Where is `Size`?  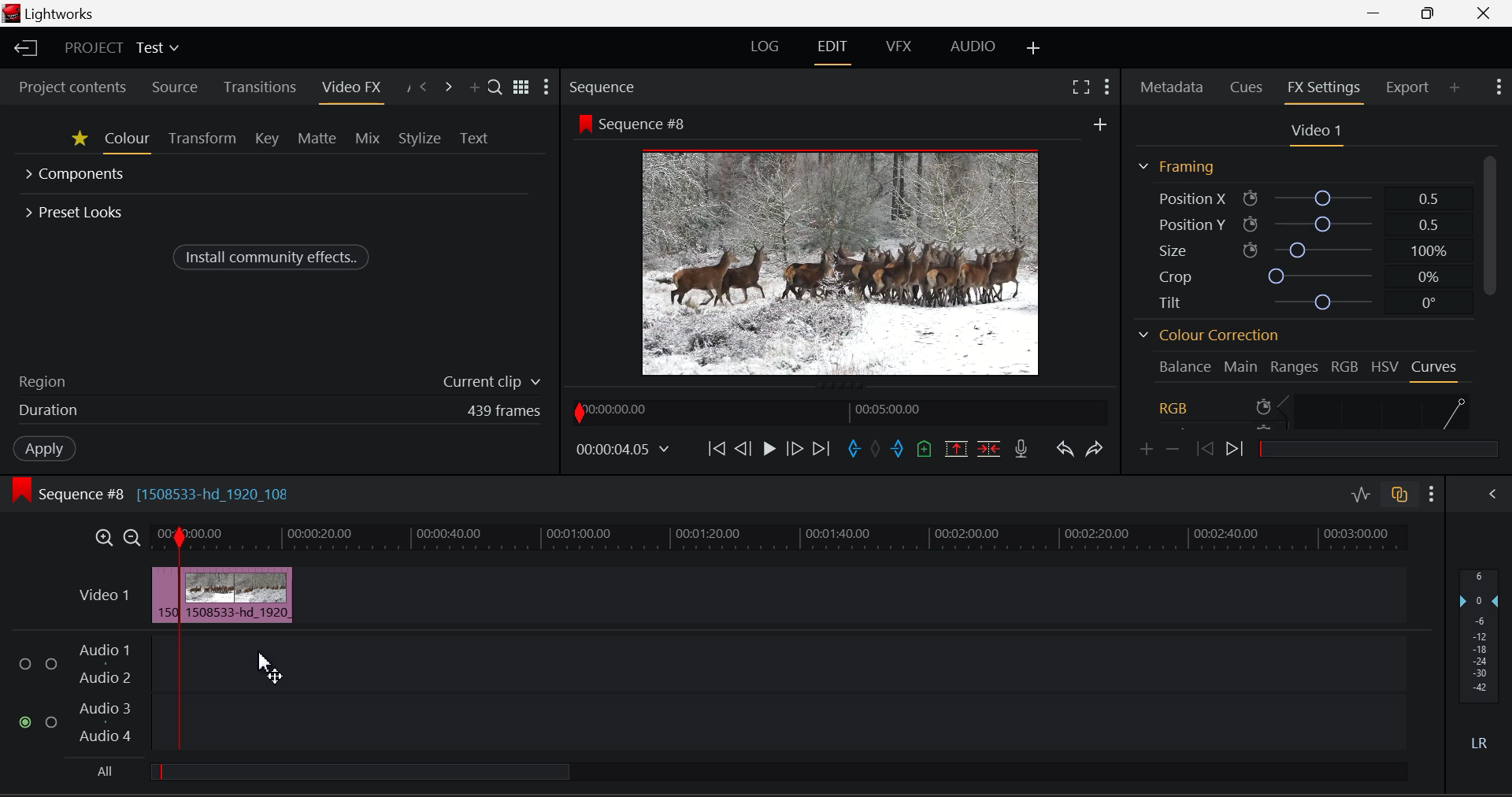 Size is located at coordinates (1299, 250).